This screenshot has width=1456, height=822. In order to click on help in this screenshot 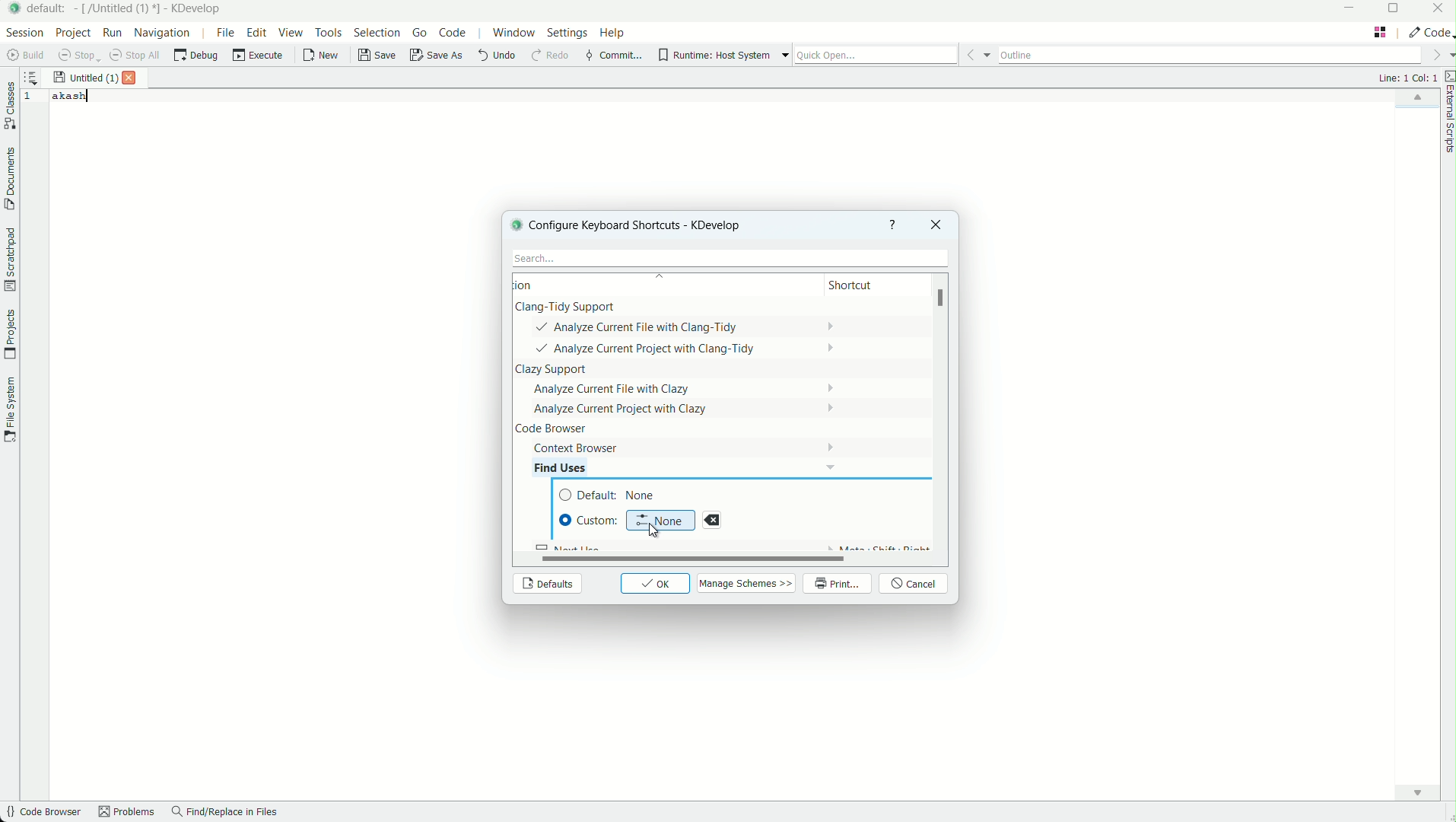, I will do `click(893, 225)`.